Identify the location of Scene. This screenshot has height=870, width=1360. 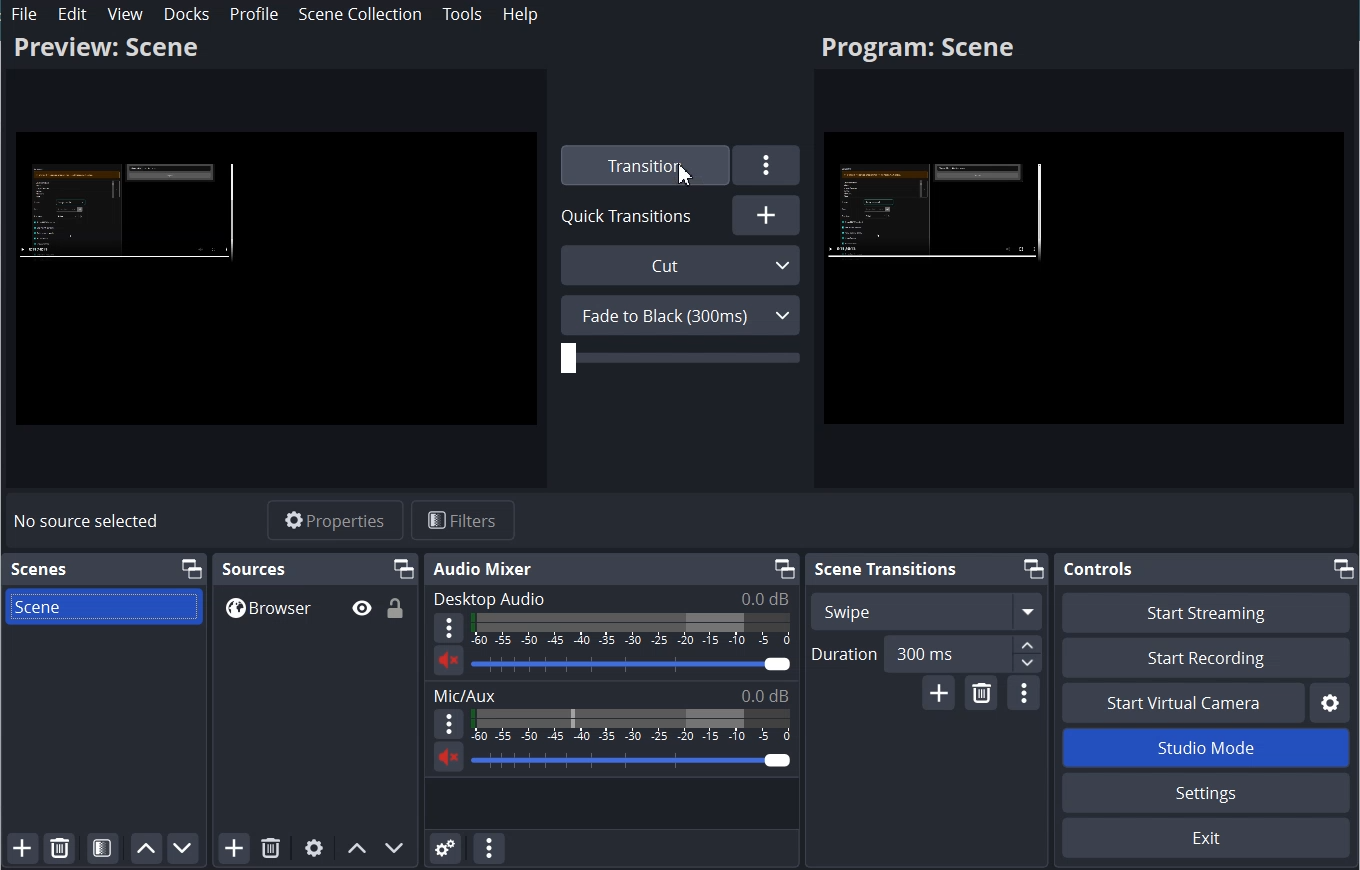
(103, 606).